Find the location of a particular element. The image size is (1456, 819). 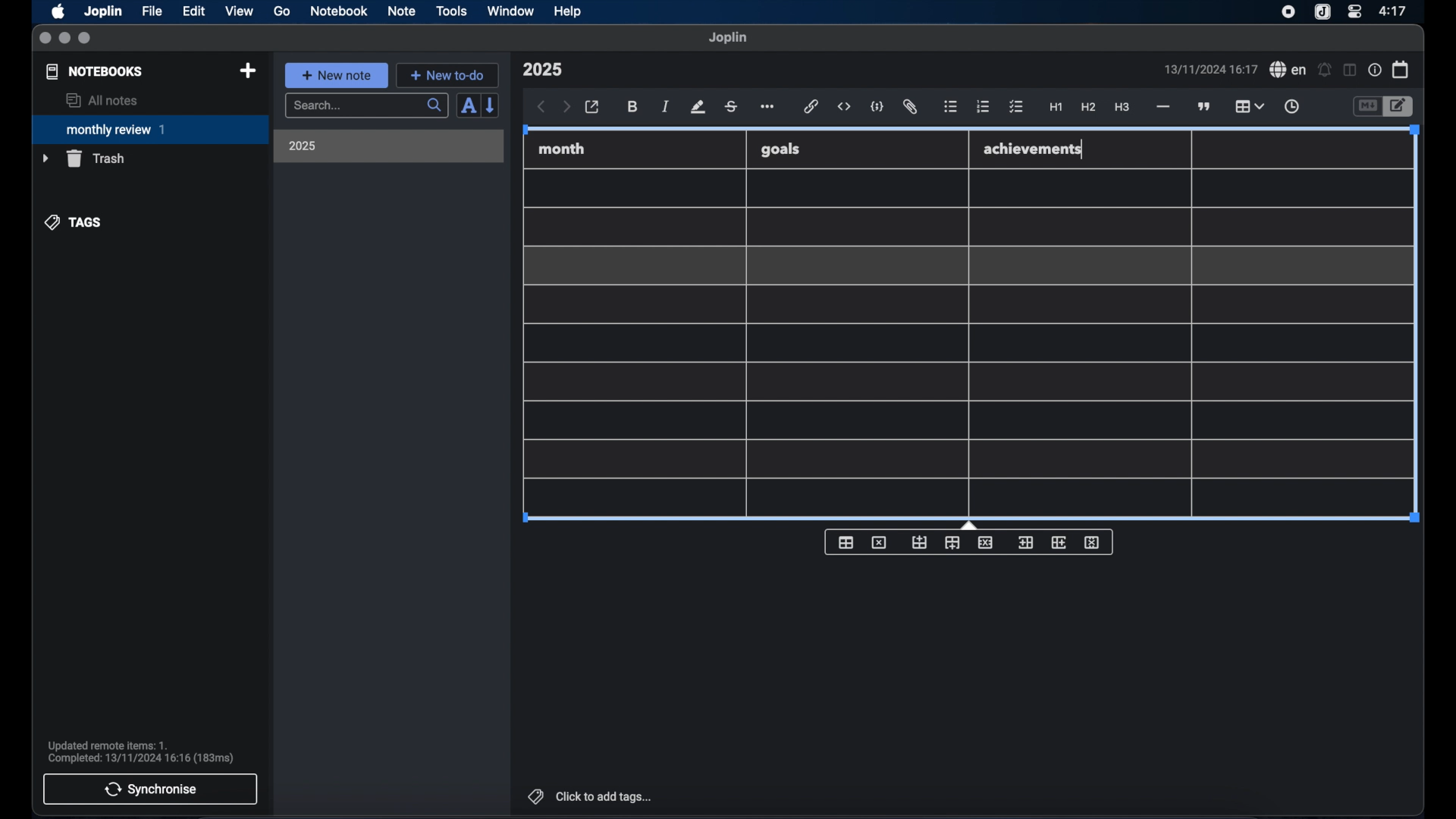

back is located at coordinates (541, 107).